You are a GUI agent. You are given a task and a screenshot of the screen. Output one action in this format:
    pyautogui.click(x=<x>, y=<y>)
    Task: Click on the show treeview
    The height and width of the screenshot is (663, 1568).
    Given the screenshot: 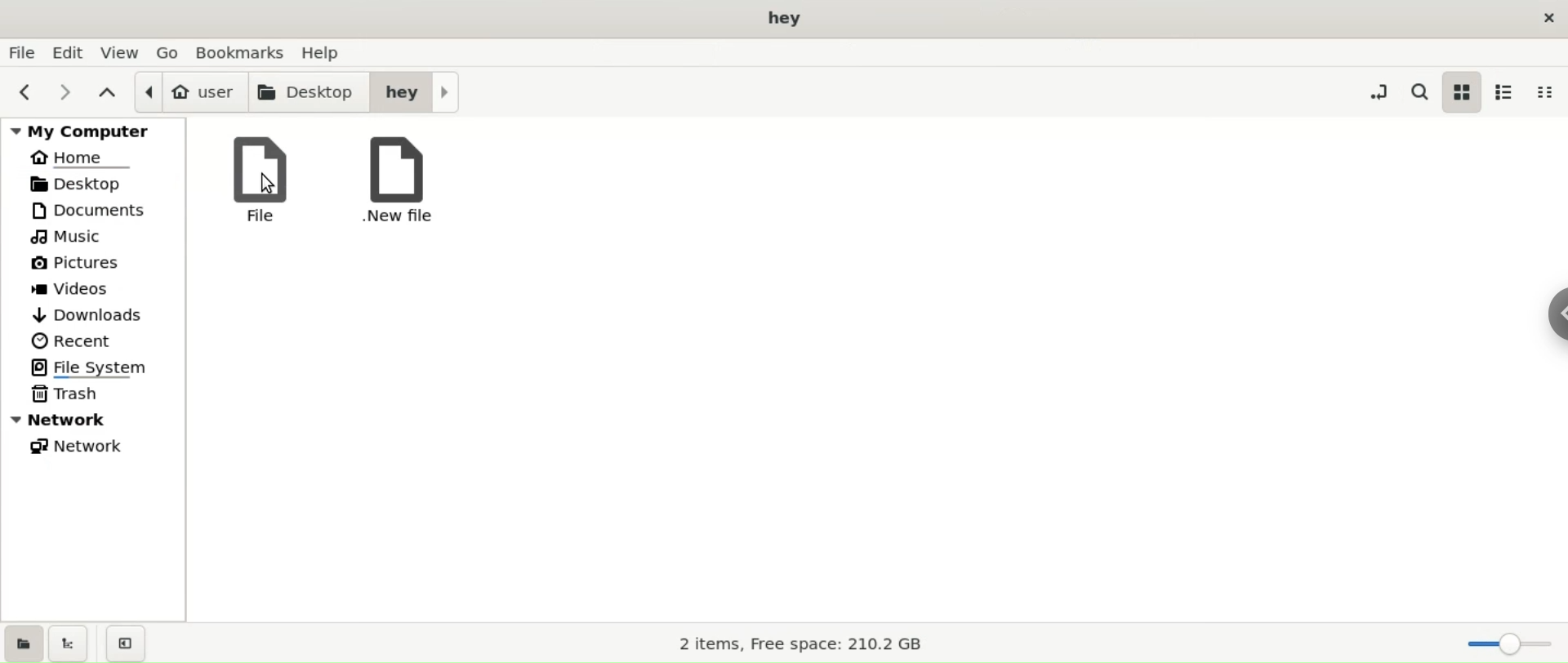 What is the action you would take?
    pyautogui.click(x=72, y=643)
    